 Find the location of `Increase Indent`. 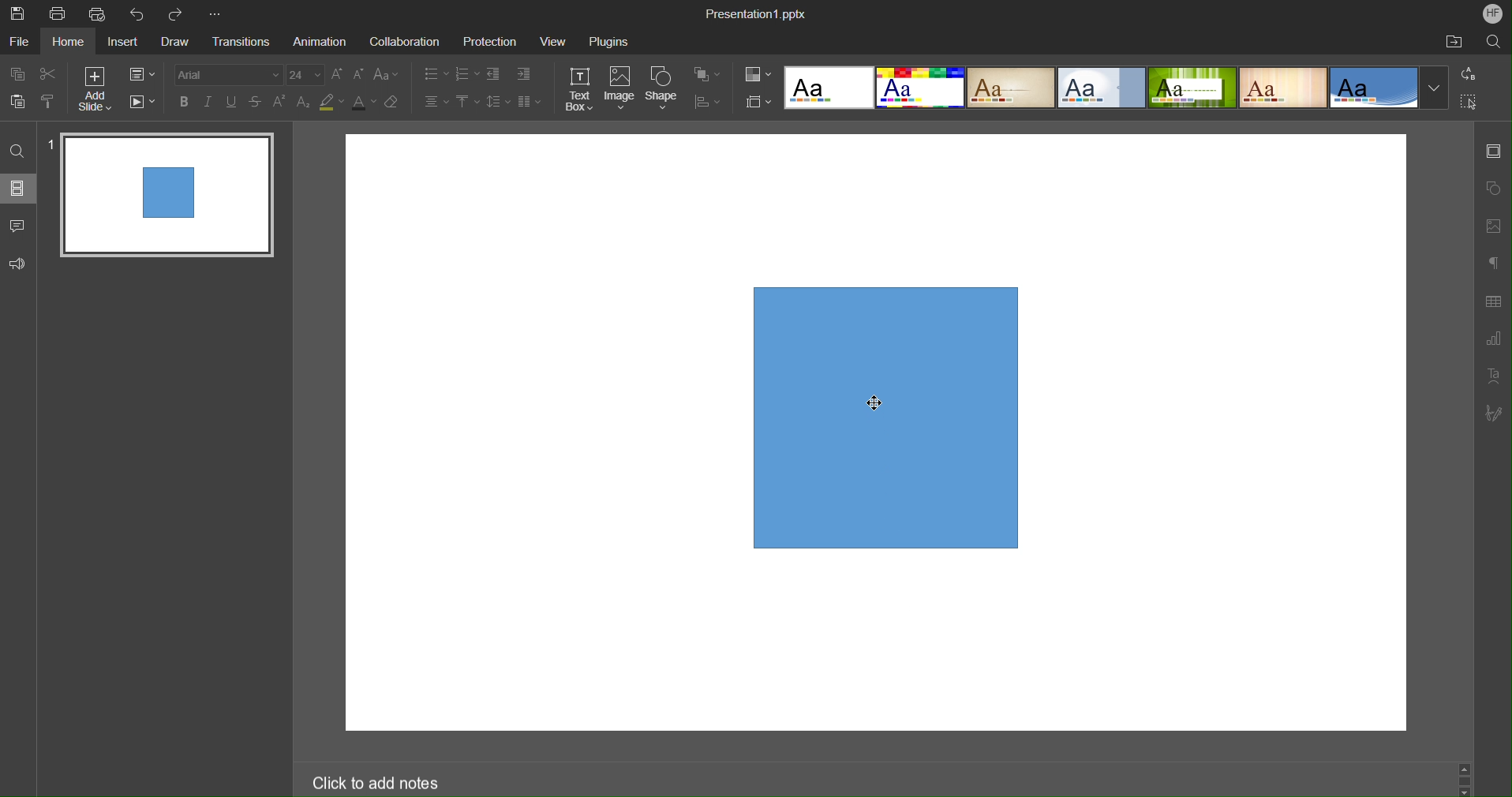

Increase Indent is located at coordinates (525, 74).